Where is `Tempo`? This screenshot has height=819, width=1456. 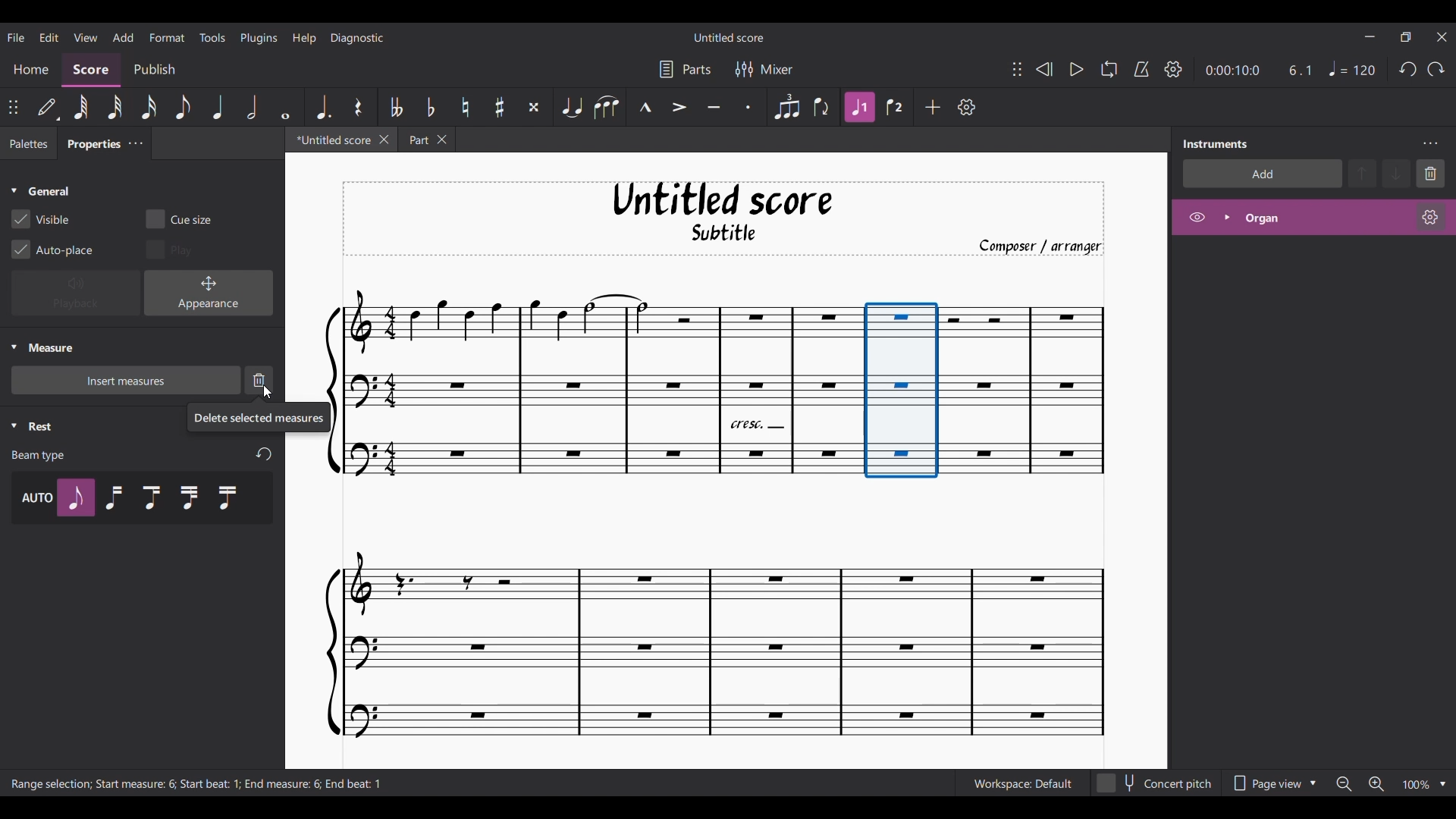
Tempo is located at coordinates (1352, 68).